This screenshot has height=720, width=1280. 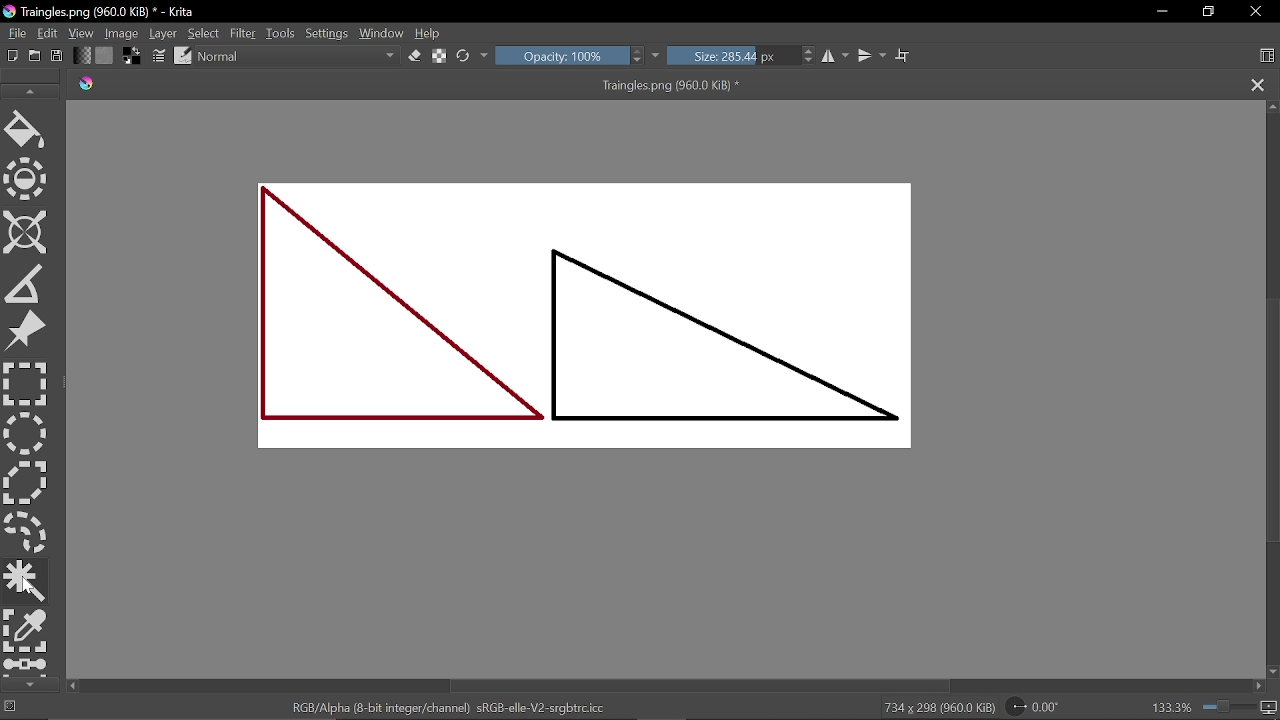 I want to click on Move up, so click(x=1272, y=108).